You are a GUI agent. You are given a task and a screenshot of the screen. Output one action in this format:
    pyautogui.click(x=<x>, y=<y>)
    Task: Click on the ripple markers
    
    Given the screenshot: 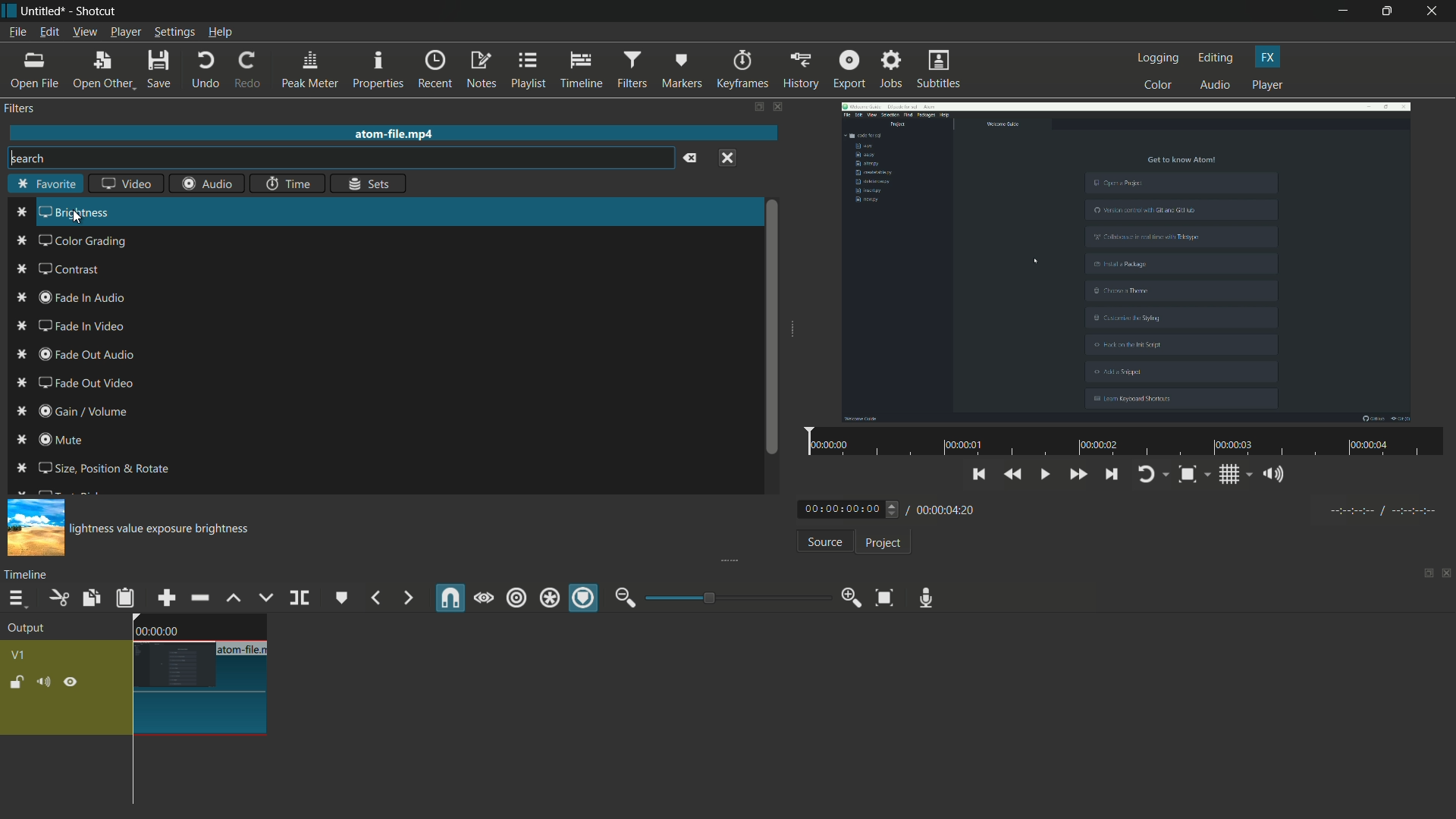 What is the action you would take?
    pyautogui.click(x=585, y=599)
    